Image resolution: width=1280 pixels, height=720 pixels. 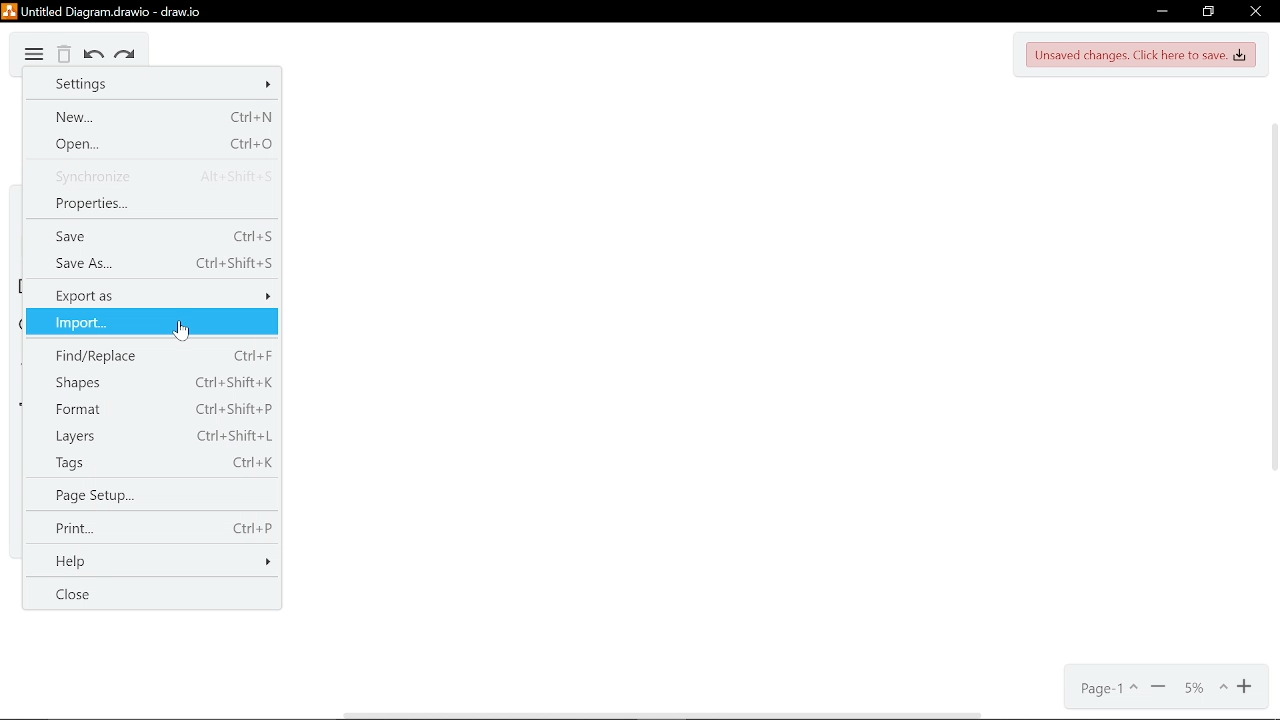 I want to click on Current zoom, so click(x=1204, y=687).